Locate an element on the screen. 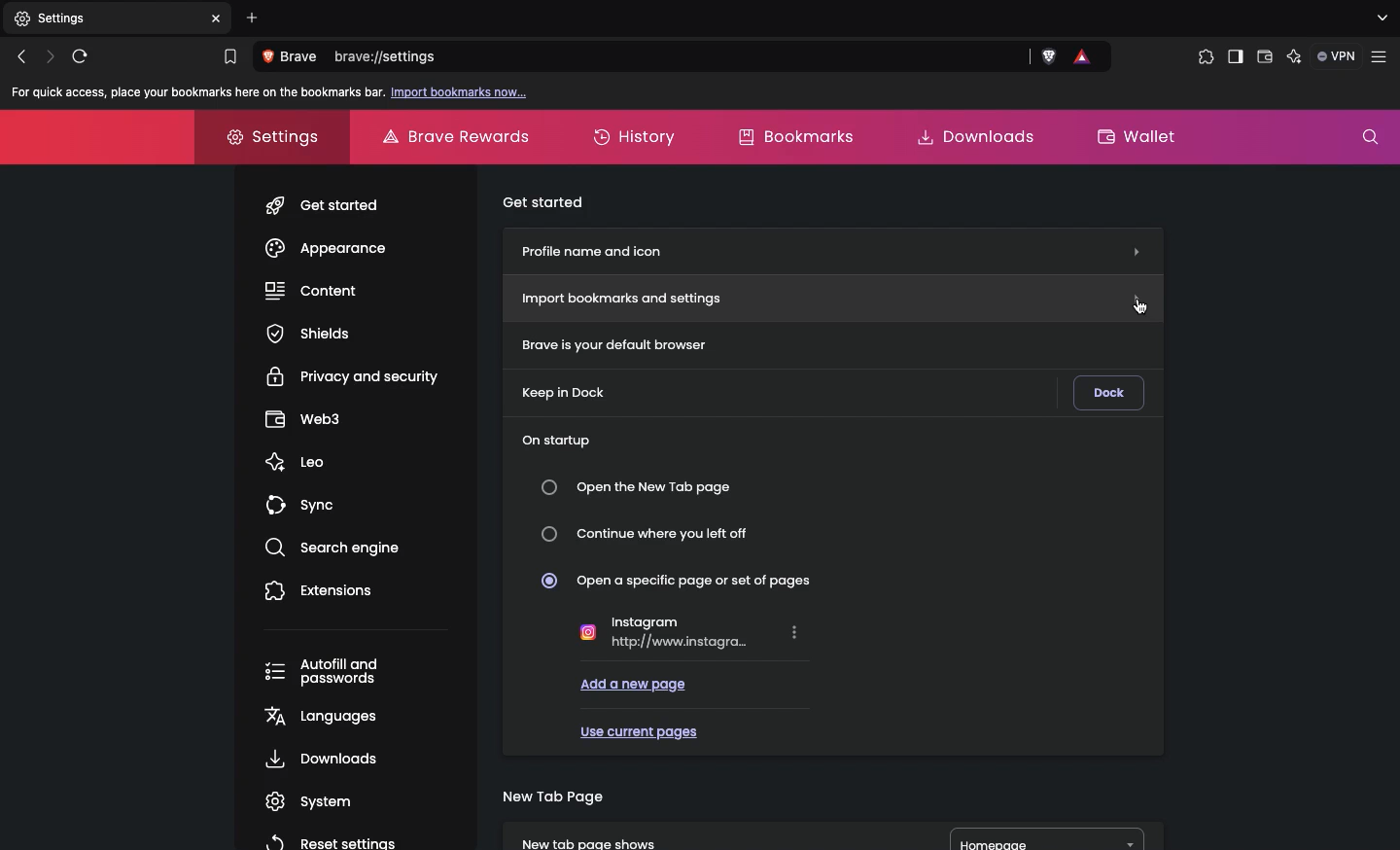  Privacy and security is located at coordinates (356, 374).